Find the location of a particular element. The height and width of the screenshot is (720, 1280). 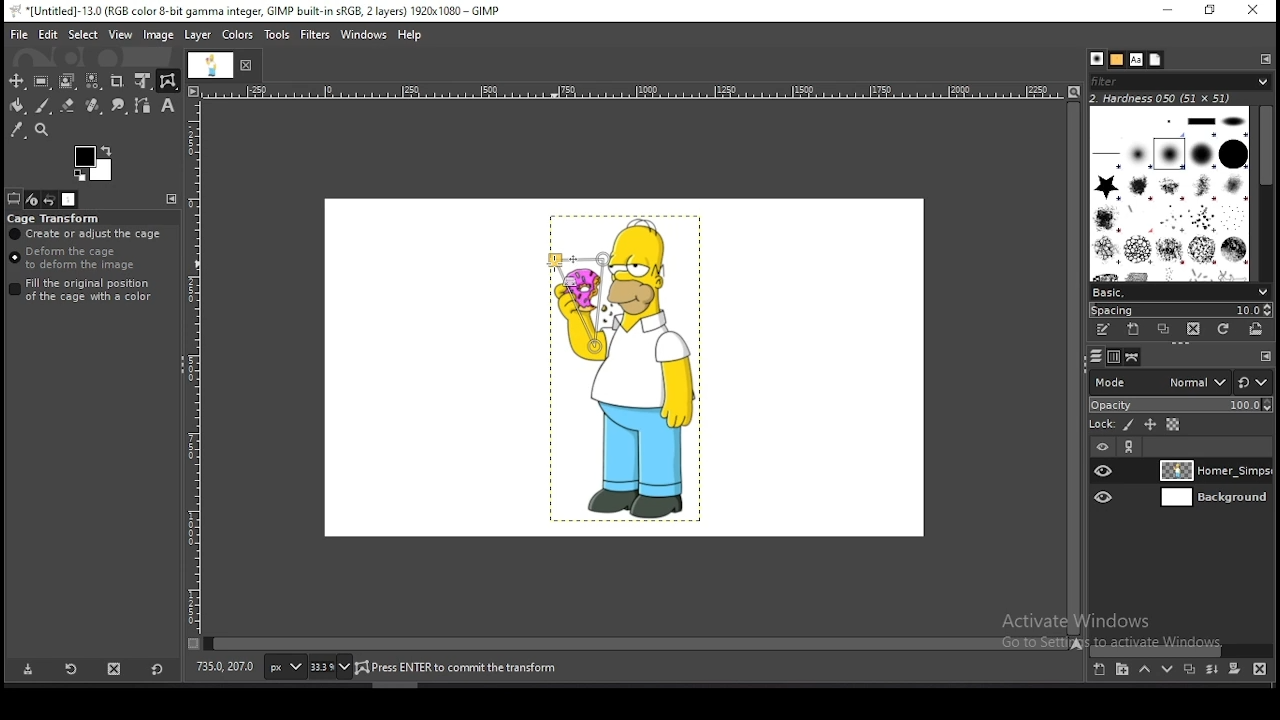

restore tool preset is located at coordinates (72, 670).